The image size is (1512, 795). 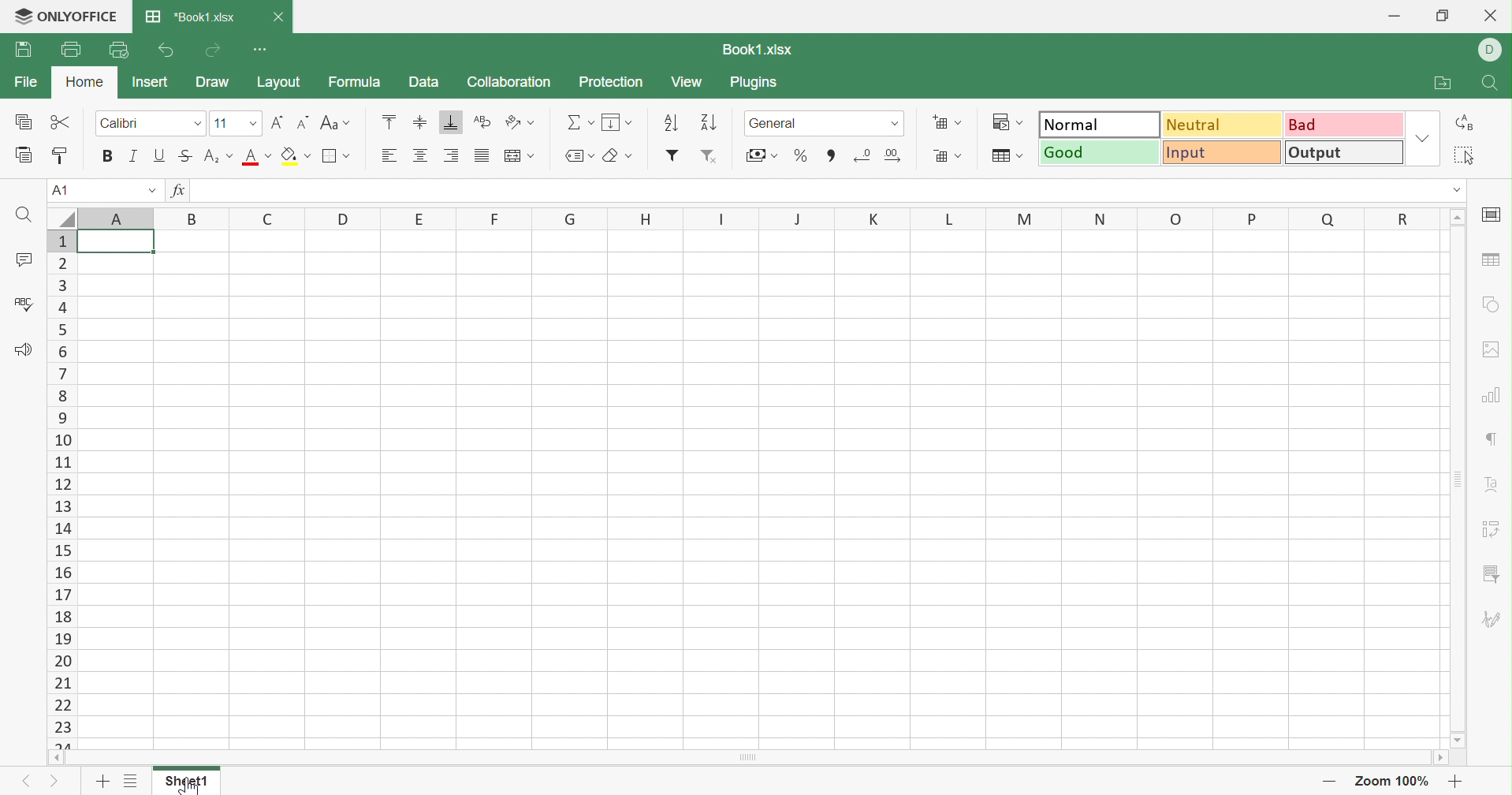 What do you see at coordinates (132, 121) in the screenshot?
I see `Calibri` at bounding box center [132, 121].